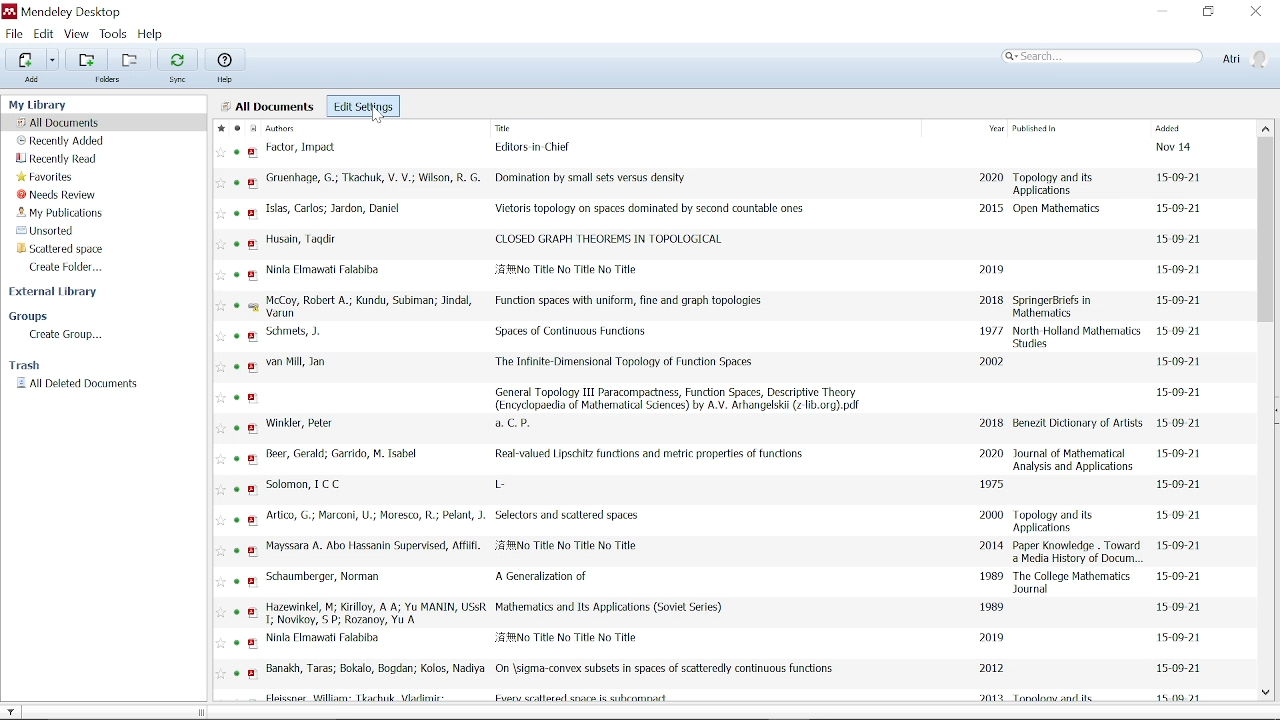 The image size is (1280, 720). Describe the element at coordinates (68, 12) in the screenshot. I see `Mendeley desktop` at that location.